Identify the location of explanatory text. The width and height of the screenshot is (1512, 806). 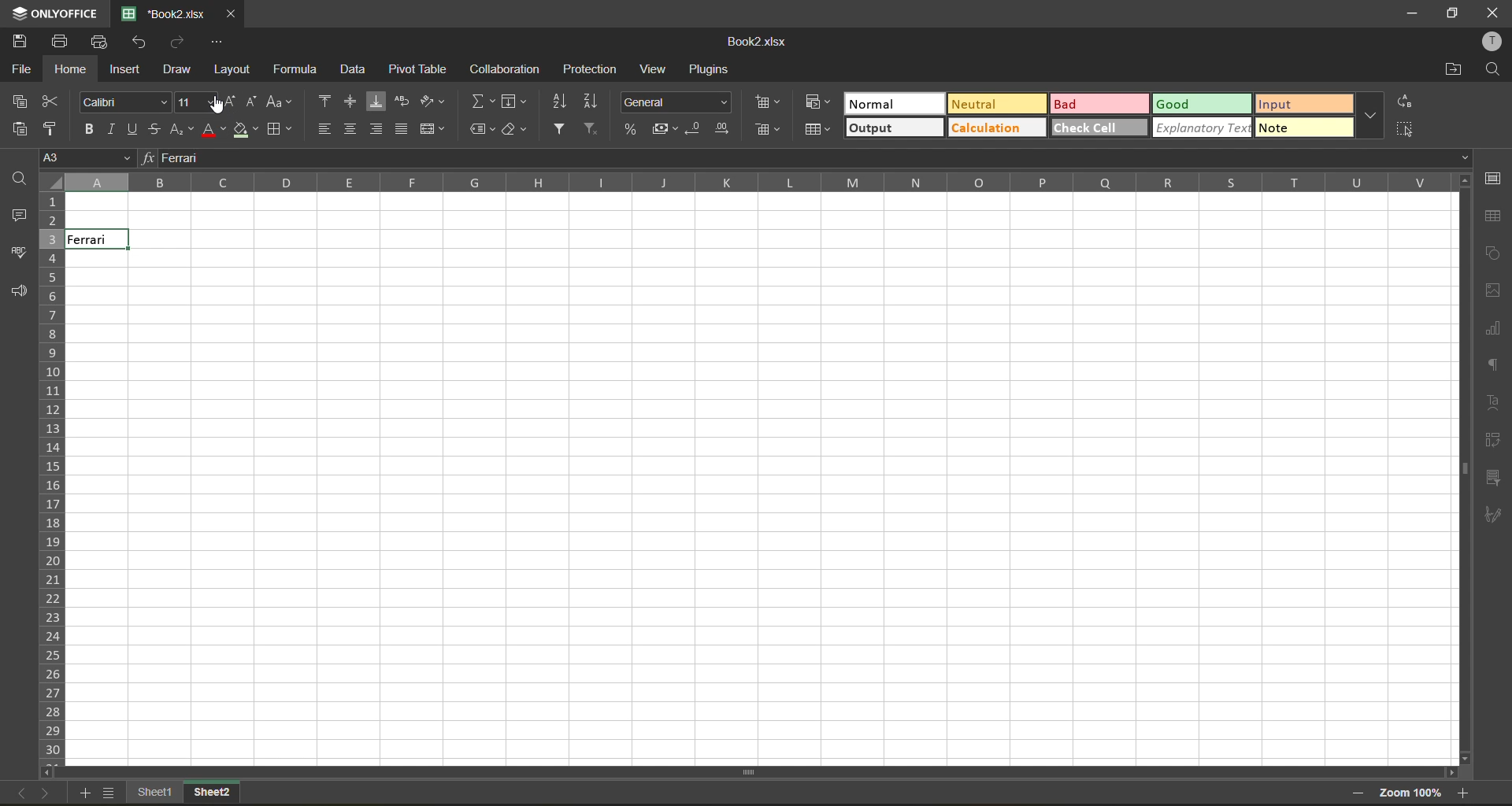
(1203, 128).